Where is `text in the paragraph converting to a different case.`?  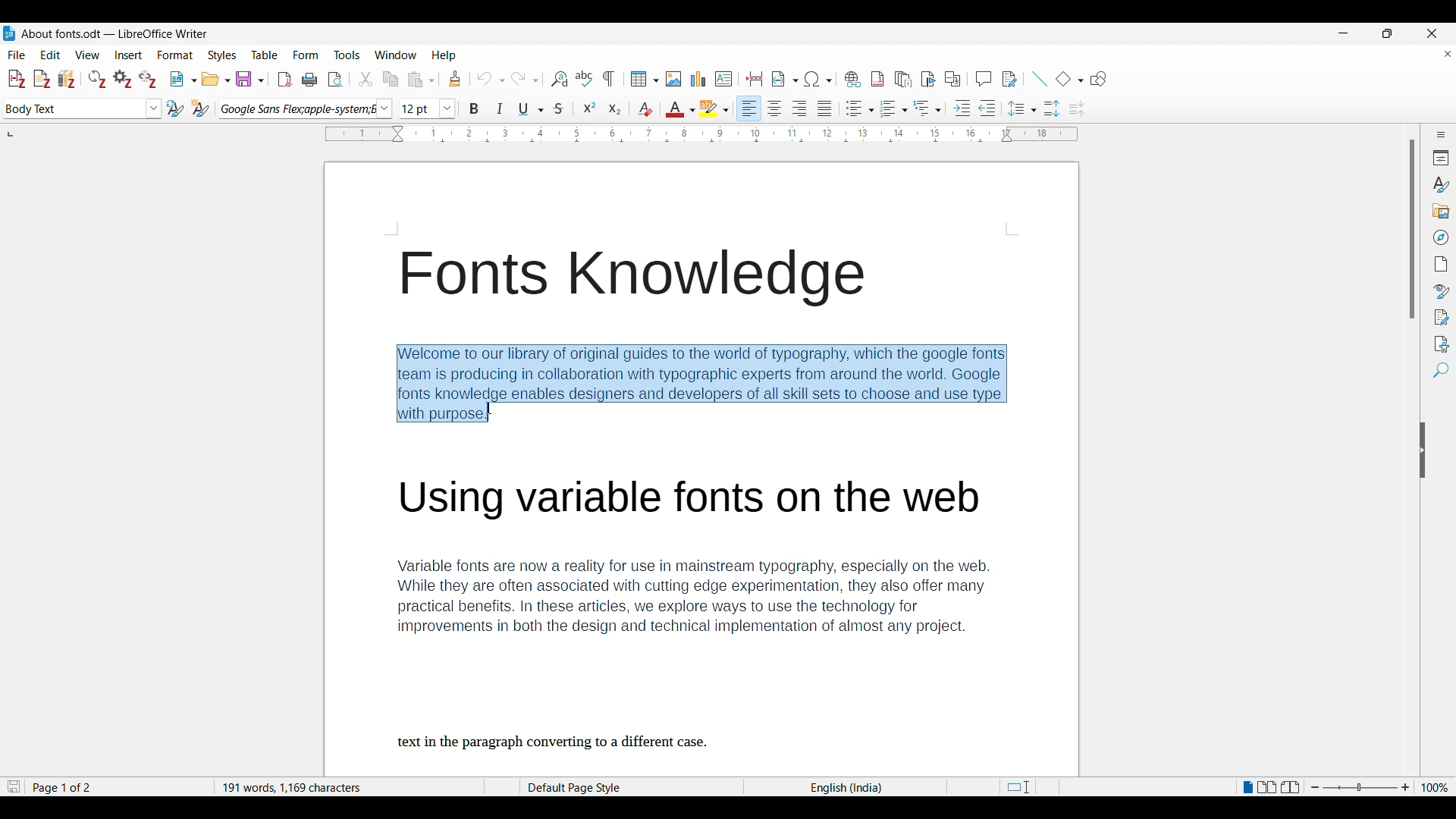 text in the paragraph converting to a different case. is located at coordinates (553, 743).